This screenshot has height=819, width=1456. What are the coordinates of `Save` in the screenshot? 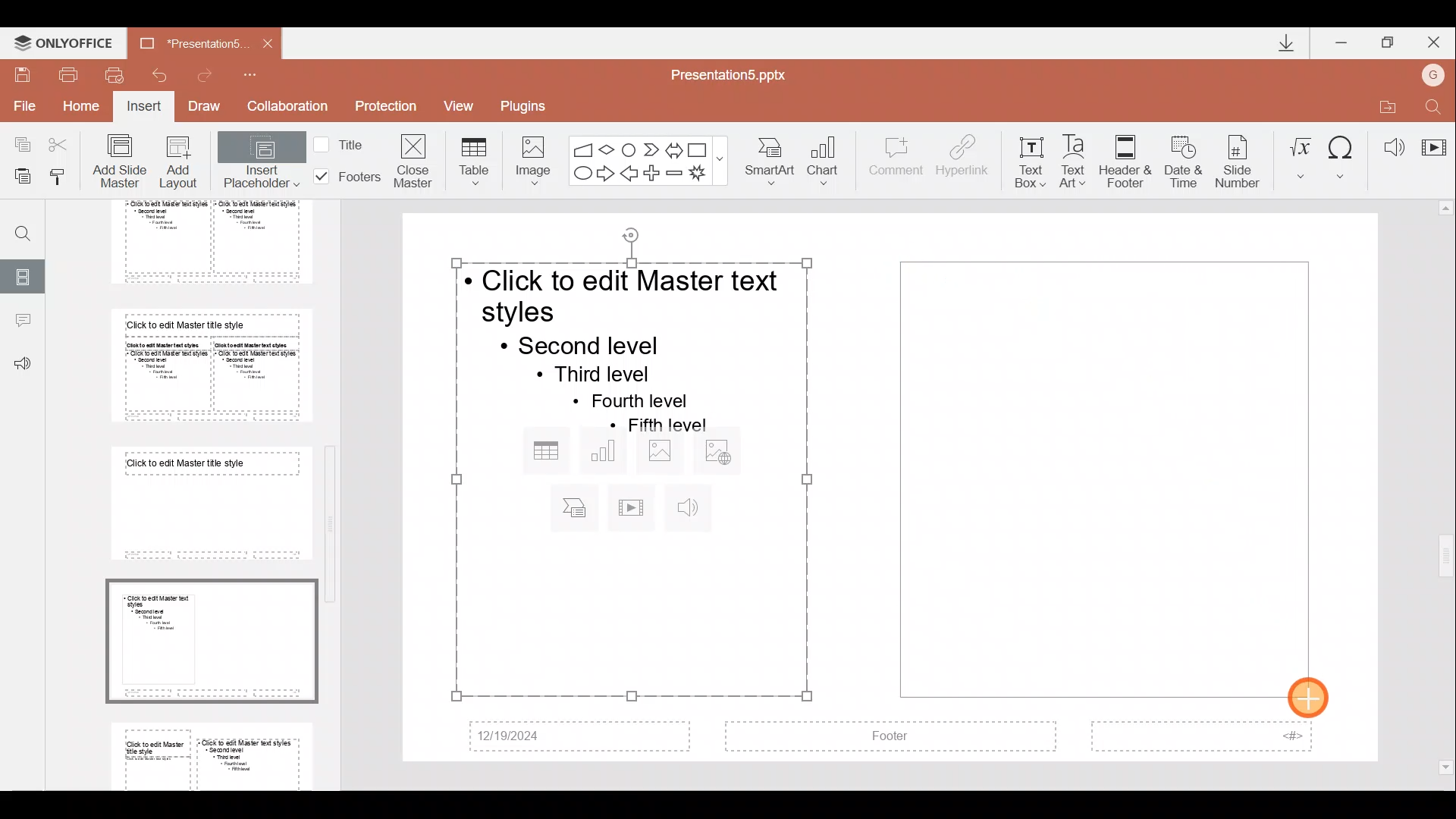 It's located at (23, 73).